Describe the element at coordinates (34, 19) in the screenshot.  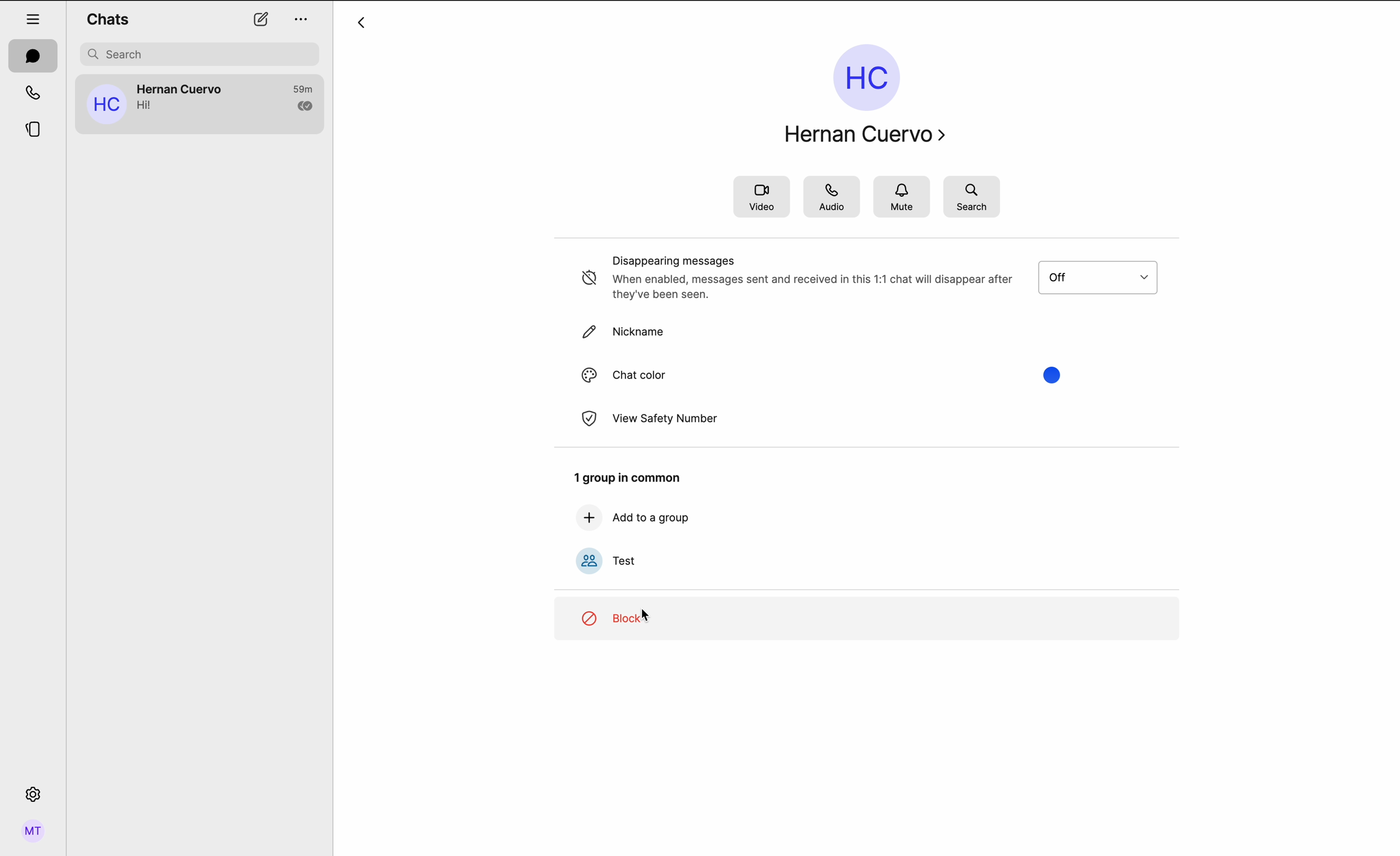
I see `hide tab` at that location.